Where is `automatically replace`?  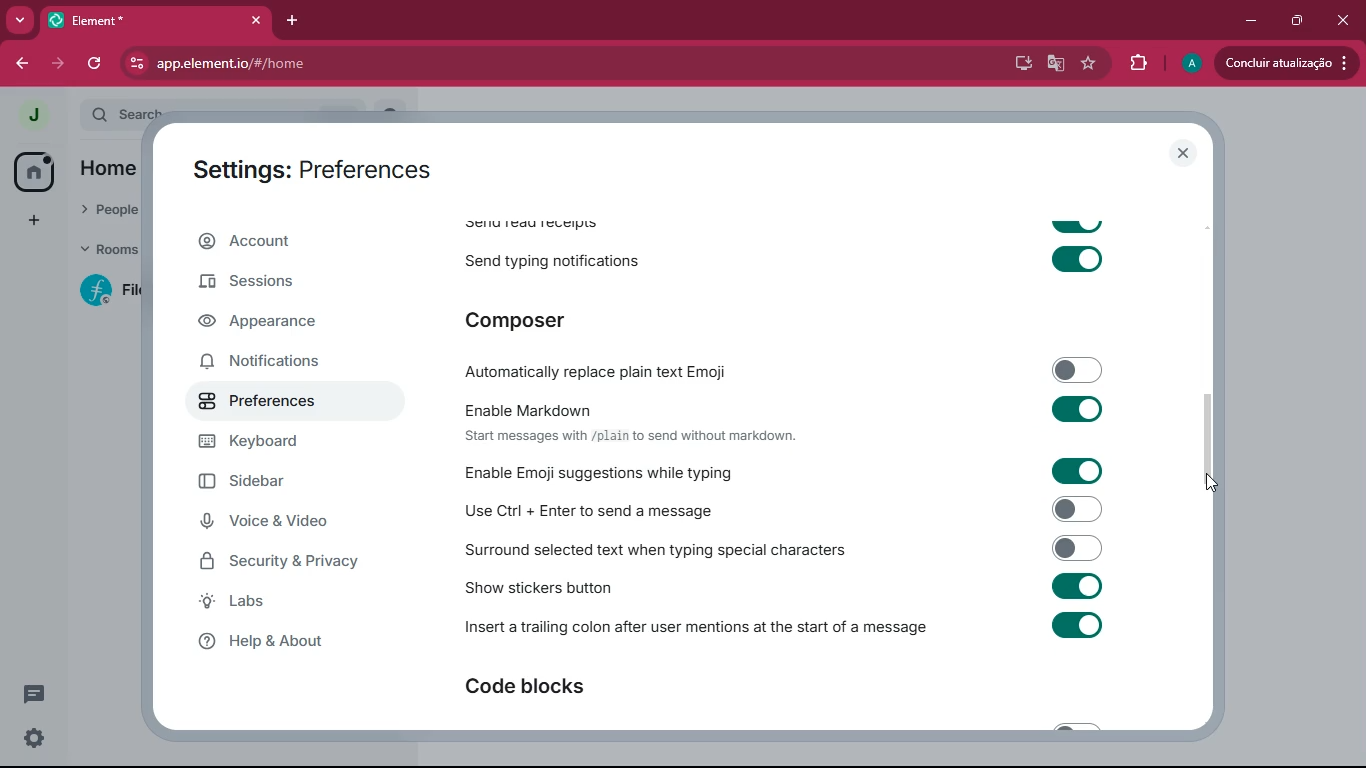 automatically replace is located at coordinates (785, 369).